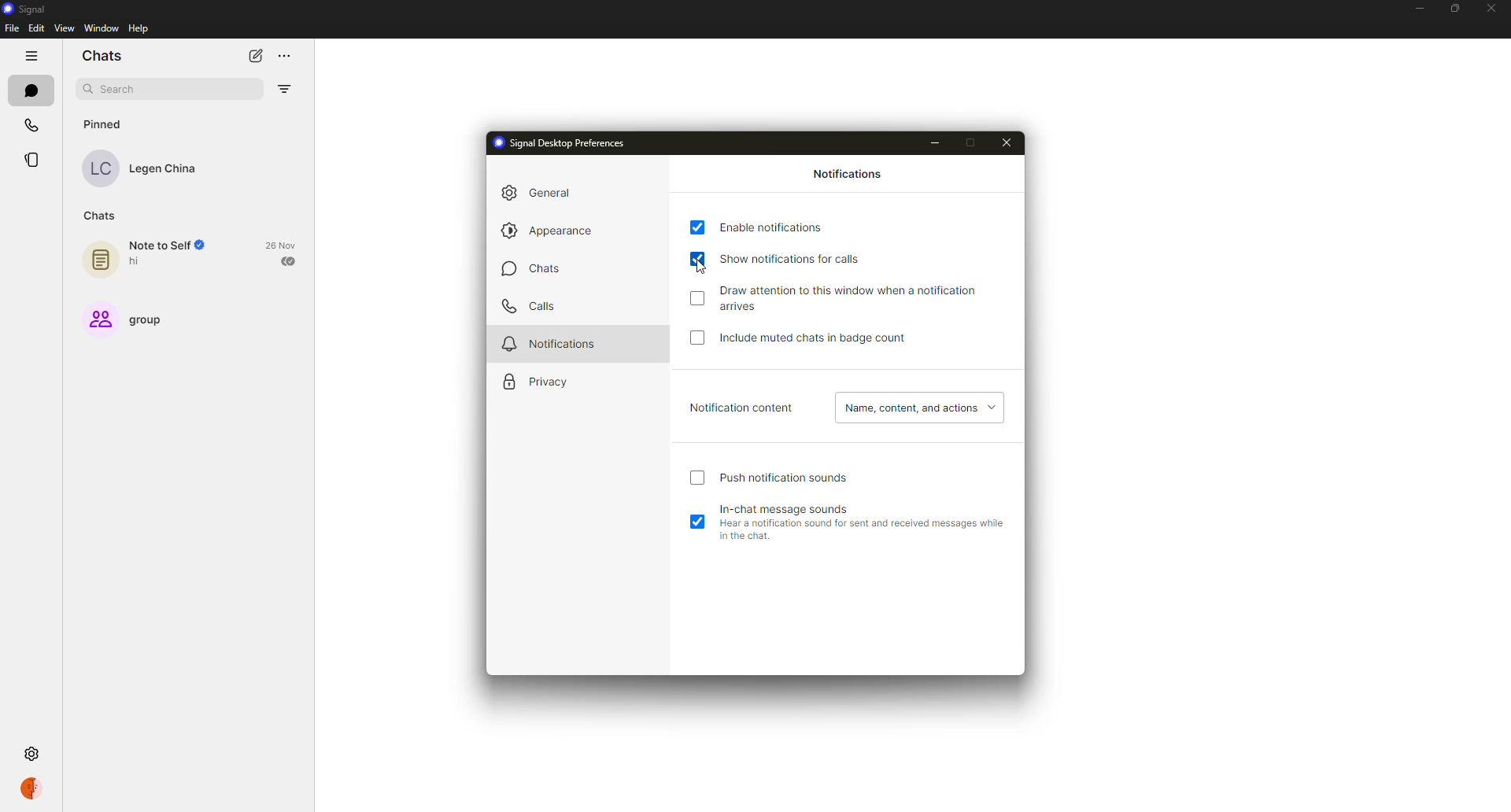  I want to click on general, so click(541, 193).